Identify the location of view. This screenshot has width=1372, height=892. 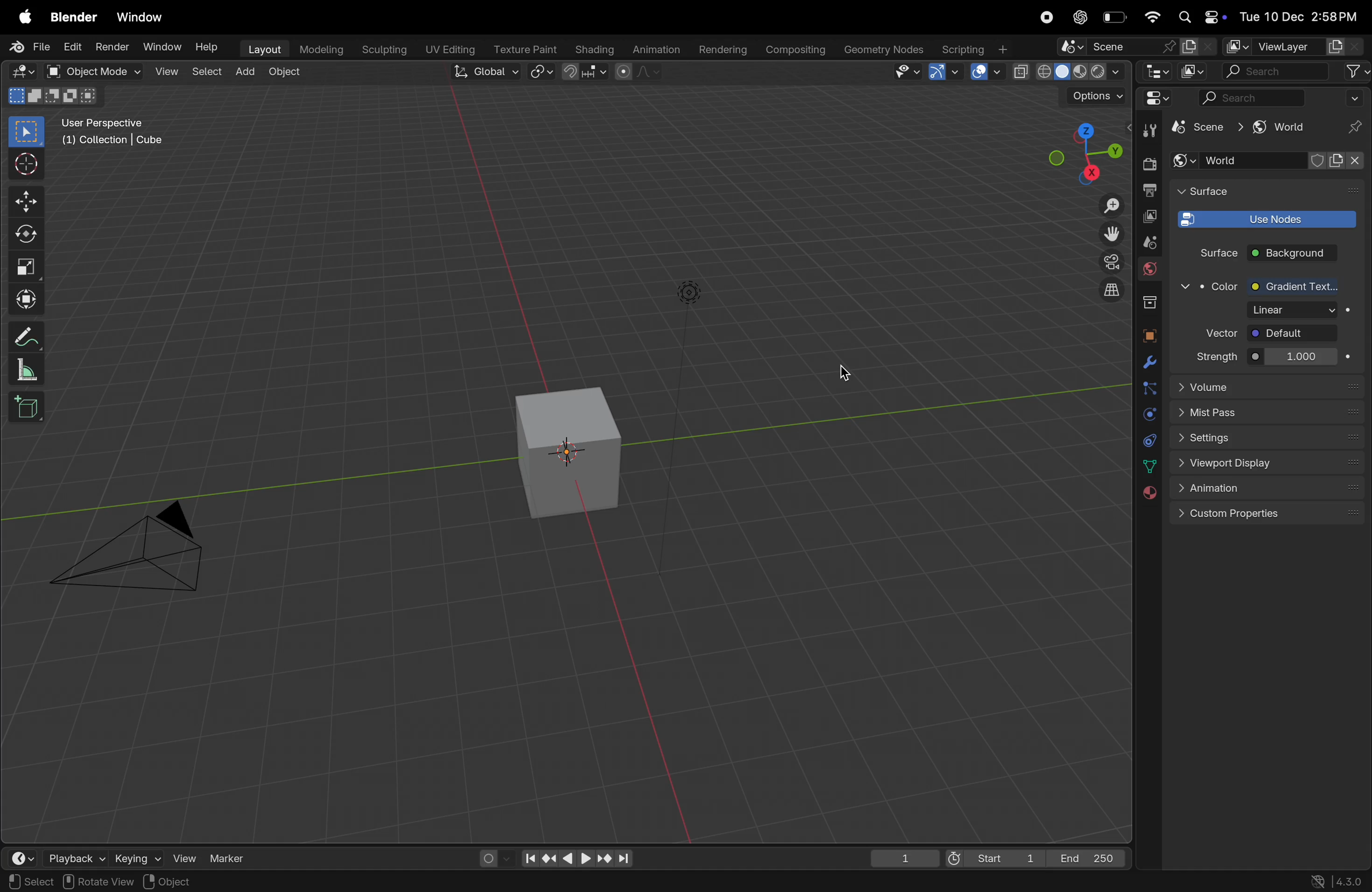
(18, 855).